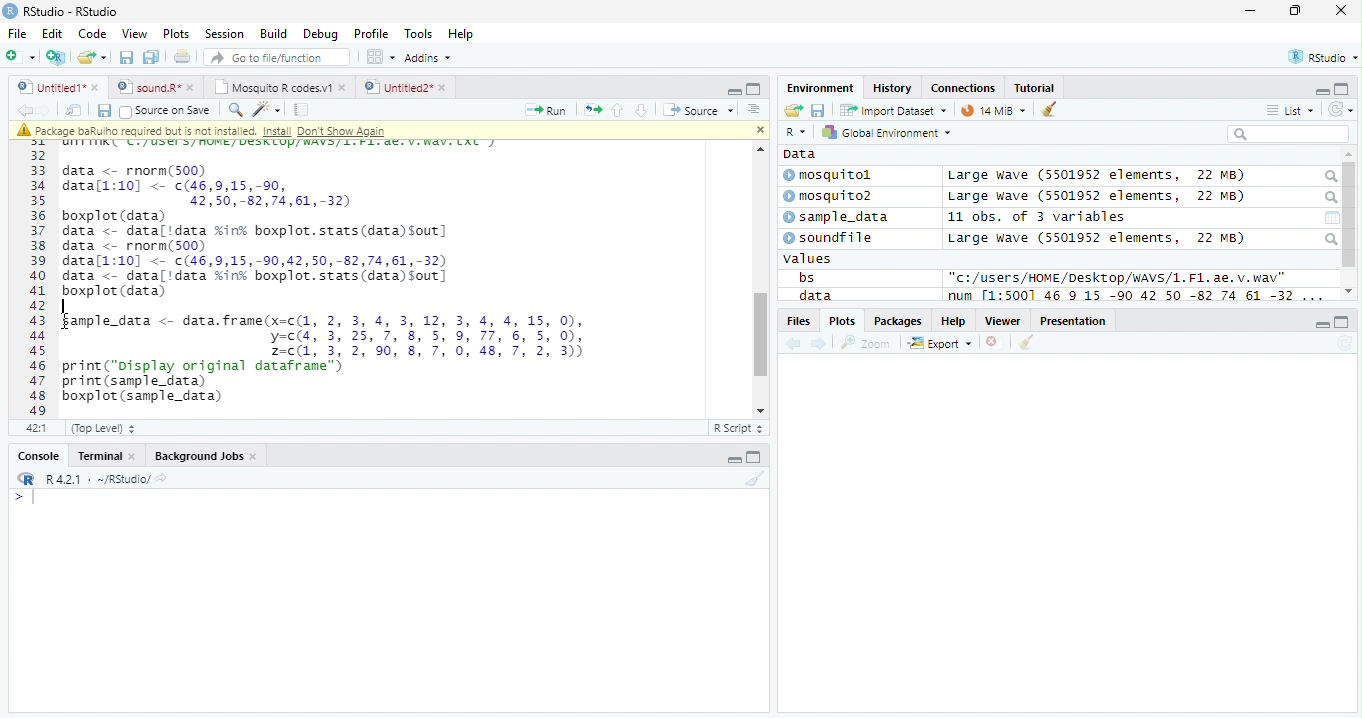 This screenshot has height=718, width=1362. Describe the element at coordinates (1035, 89) in the screenshot. I see `Tutorial` at that location.